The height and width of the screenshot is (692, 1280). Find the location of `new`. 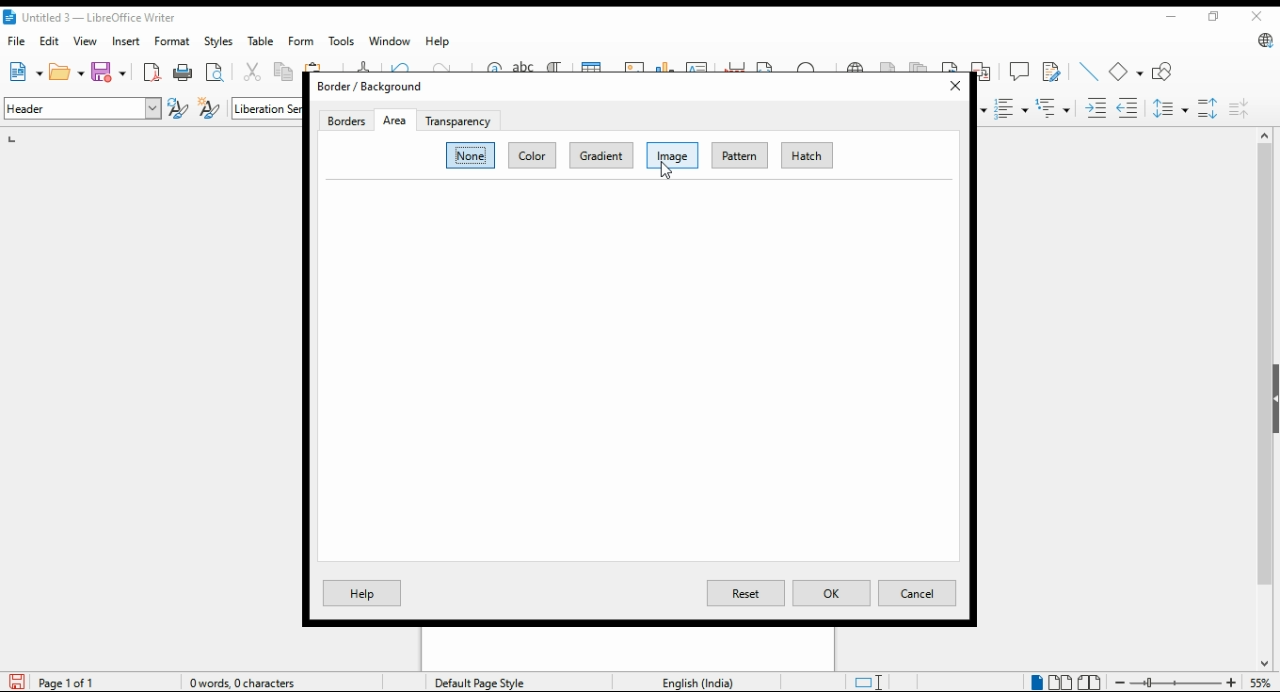

new is located at coordinates (24, 72).